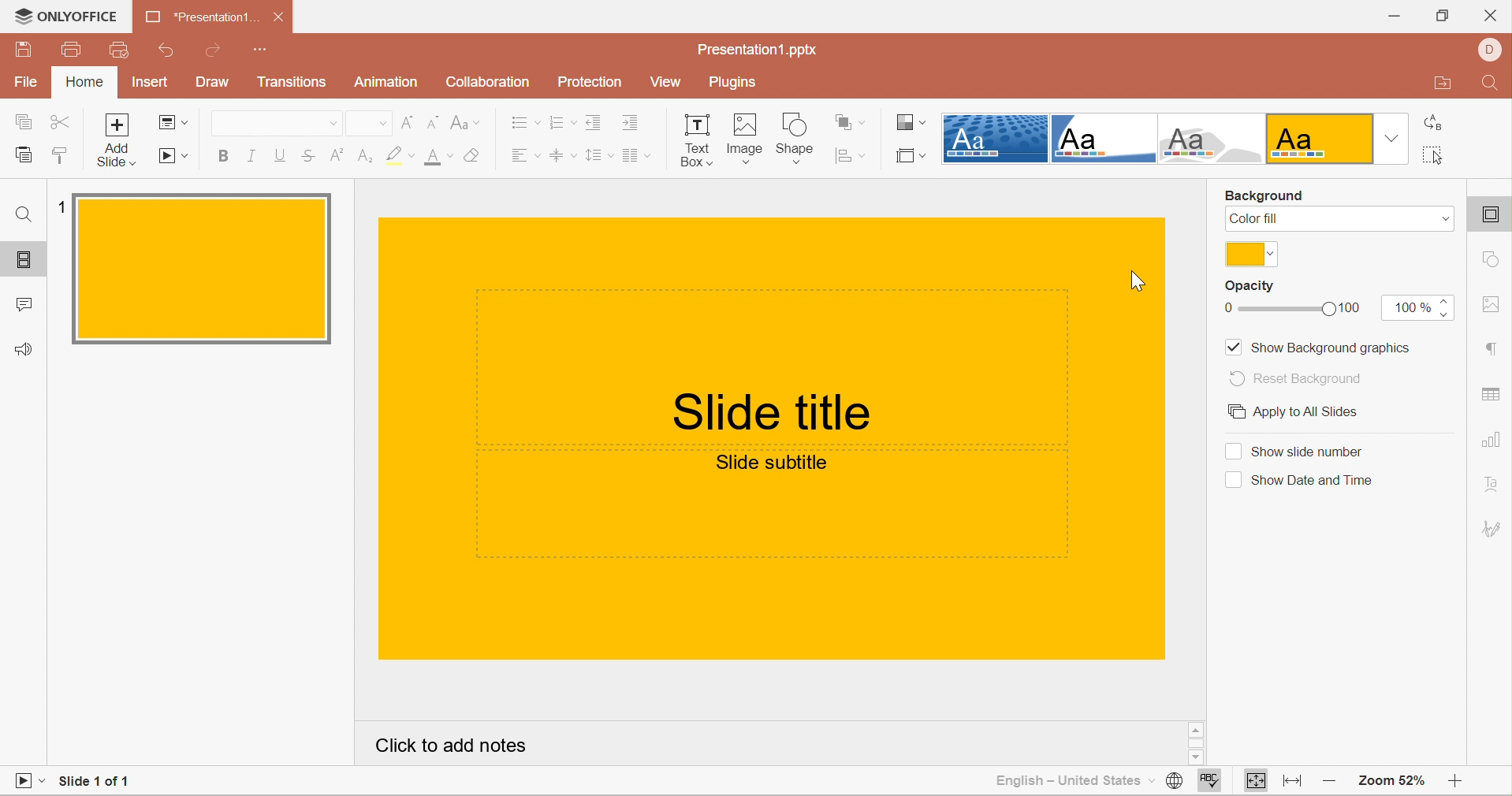 This screenshot has width=1512, height=796. I want to click on Drop Dwon, so click(1441, 218).